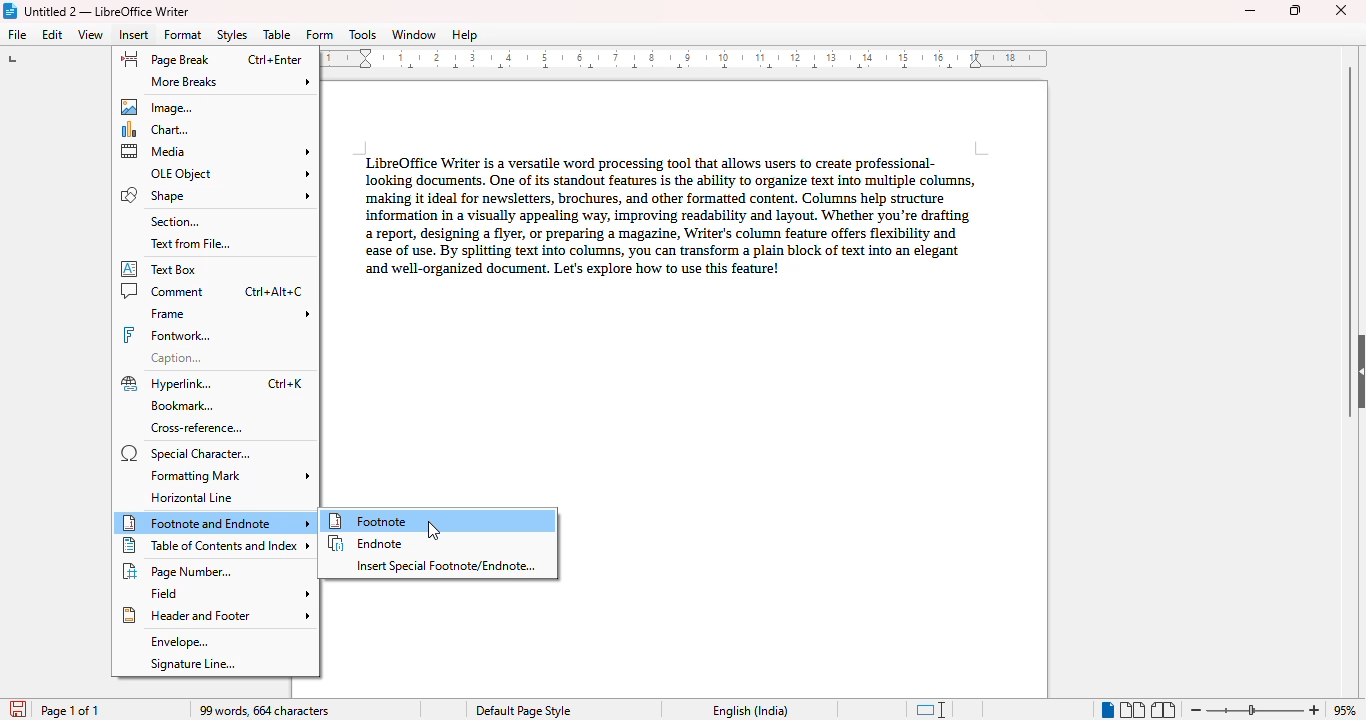 The height and width of the screenshot is (720, 1366). I want to click on Change zoom level, so click(1257, 707).